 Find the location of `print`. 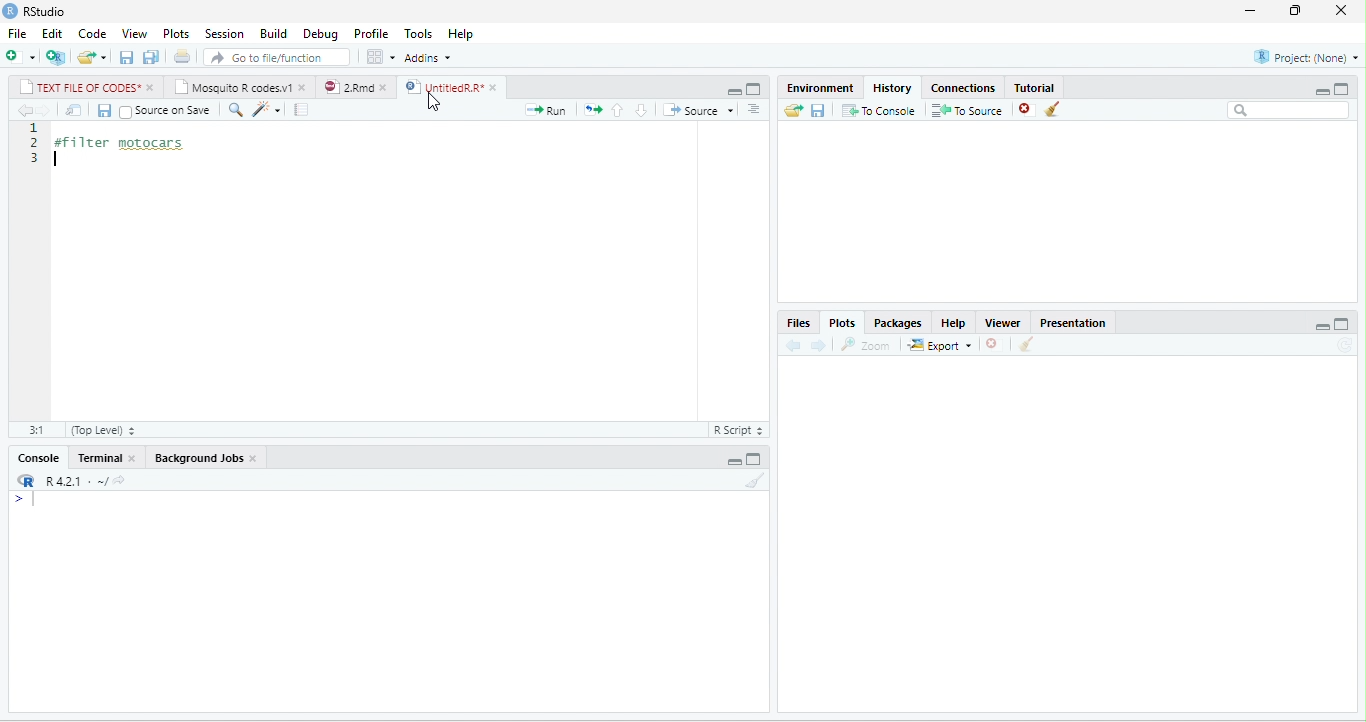

print is located at coordinates (182, 56).